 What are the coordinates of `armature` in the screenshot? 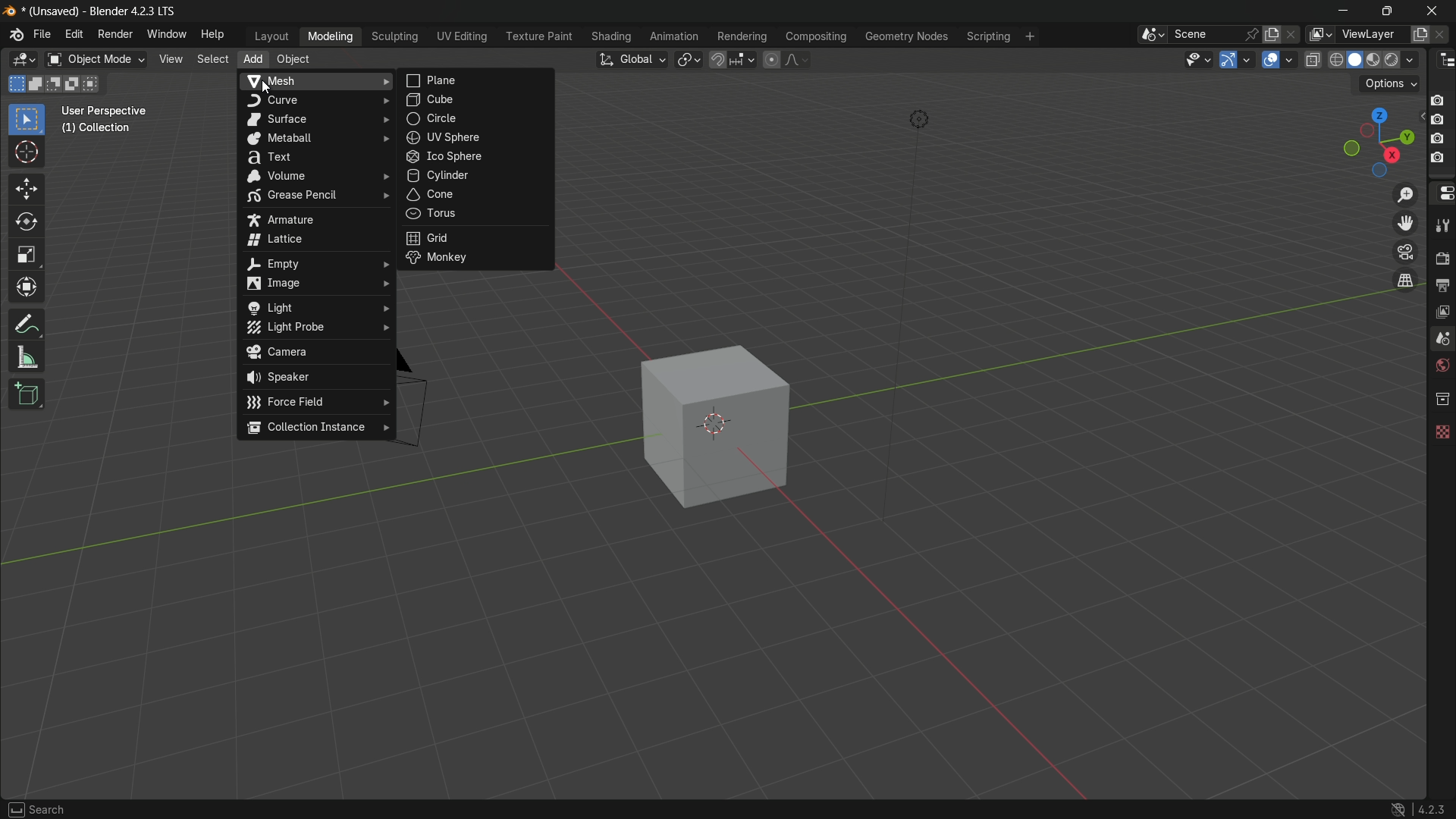 It's located at (315, 218).